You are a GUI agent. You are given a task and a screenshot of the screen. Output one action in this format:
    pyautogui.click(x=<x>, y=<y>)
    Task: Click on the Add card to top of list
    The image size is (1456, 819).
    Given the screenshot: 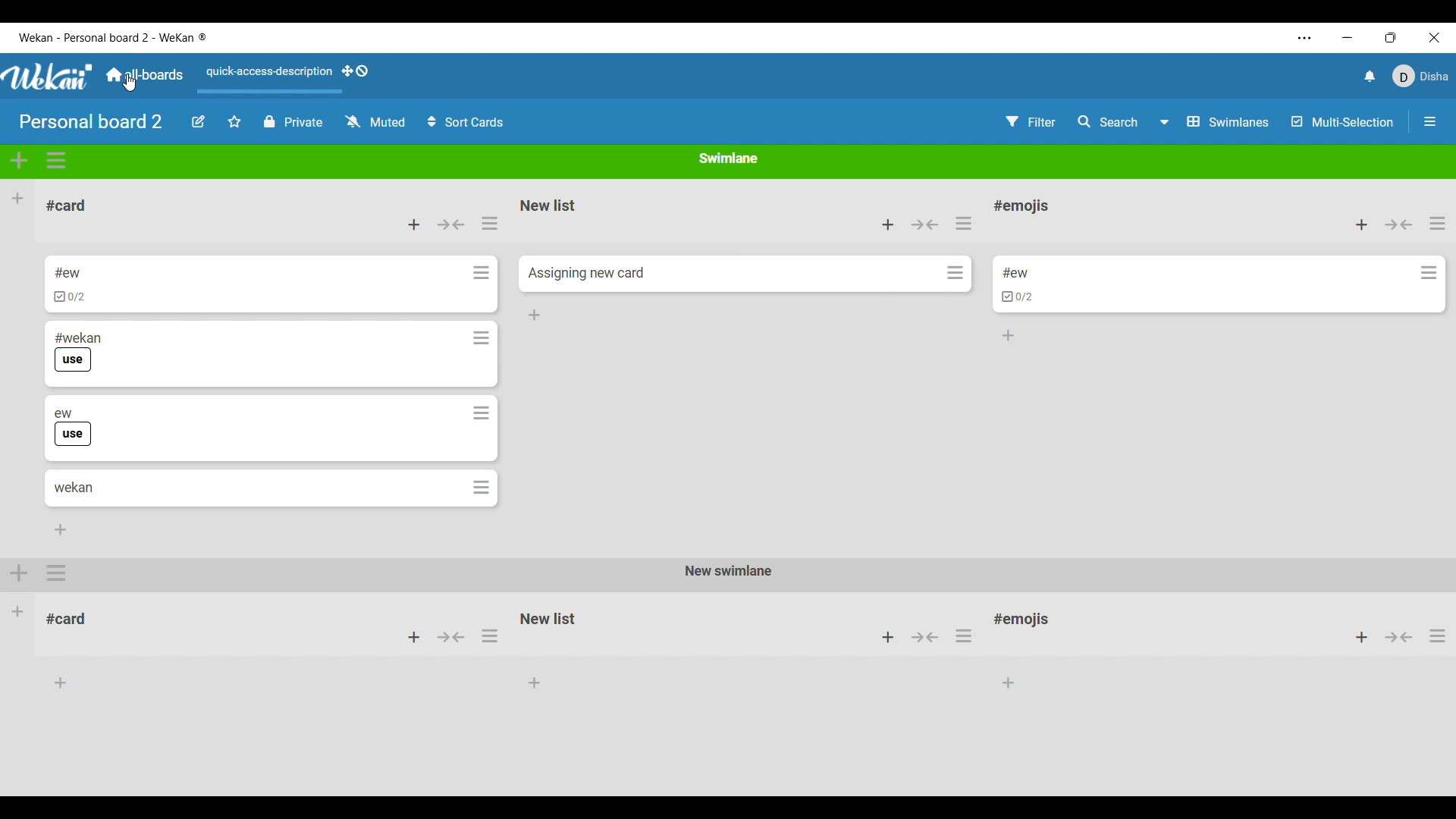 What is the action you would take?
    pyautogui.click(x=1361, y=224)
    